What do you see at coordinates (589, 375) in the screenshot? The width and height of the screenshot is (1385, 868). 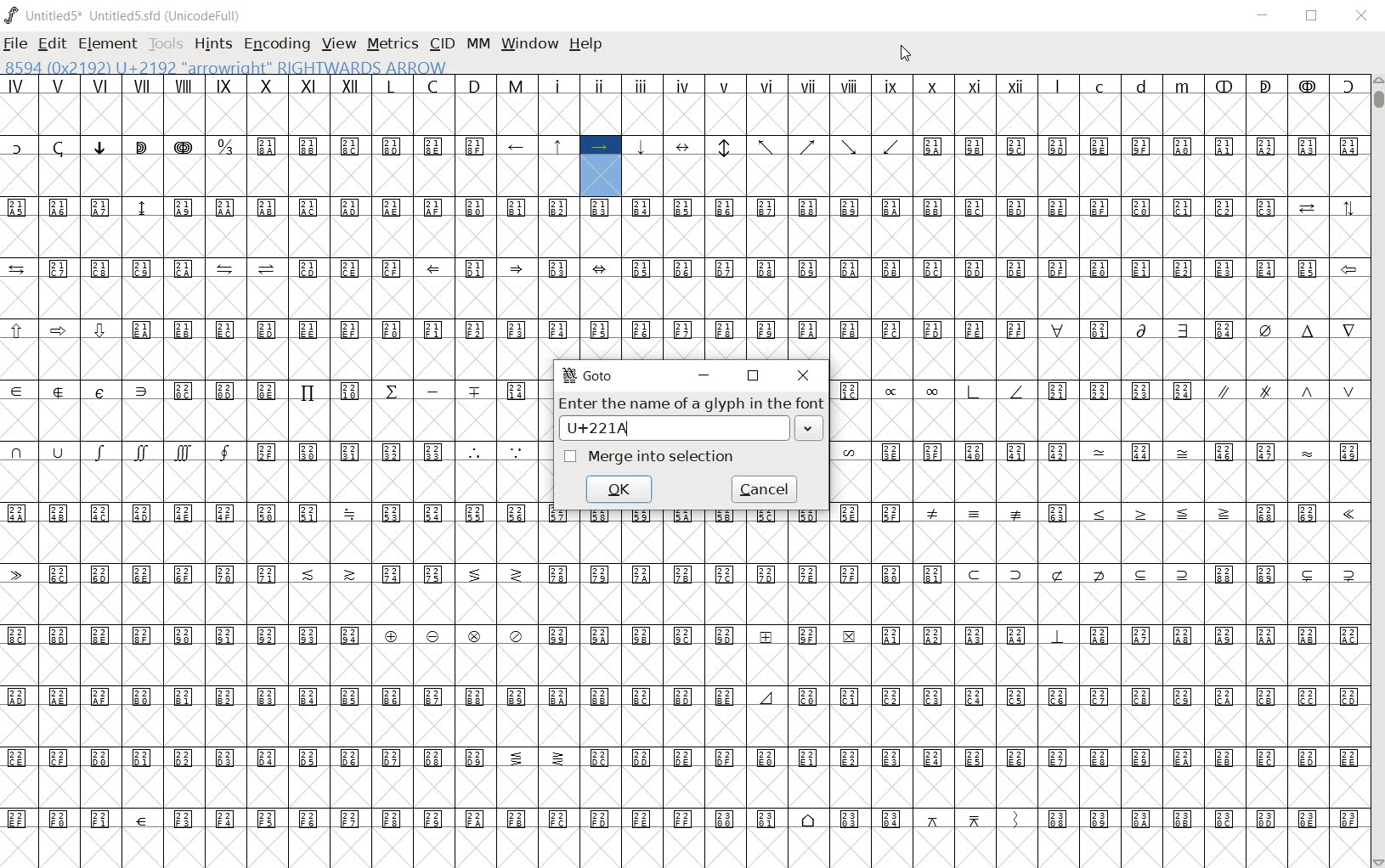 I see `GoTo` at bounding box center [589, 375].